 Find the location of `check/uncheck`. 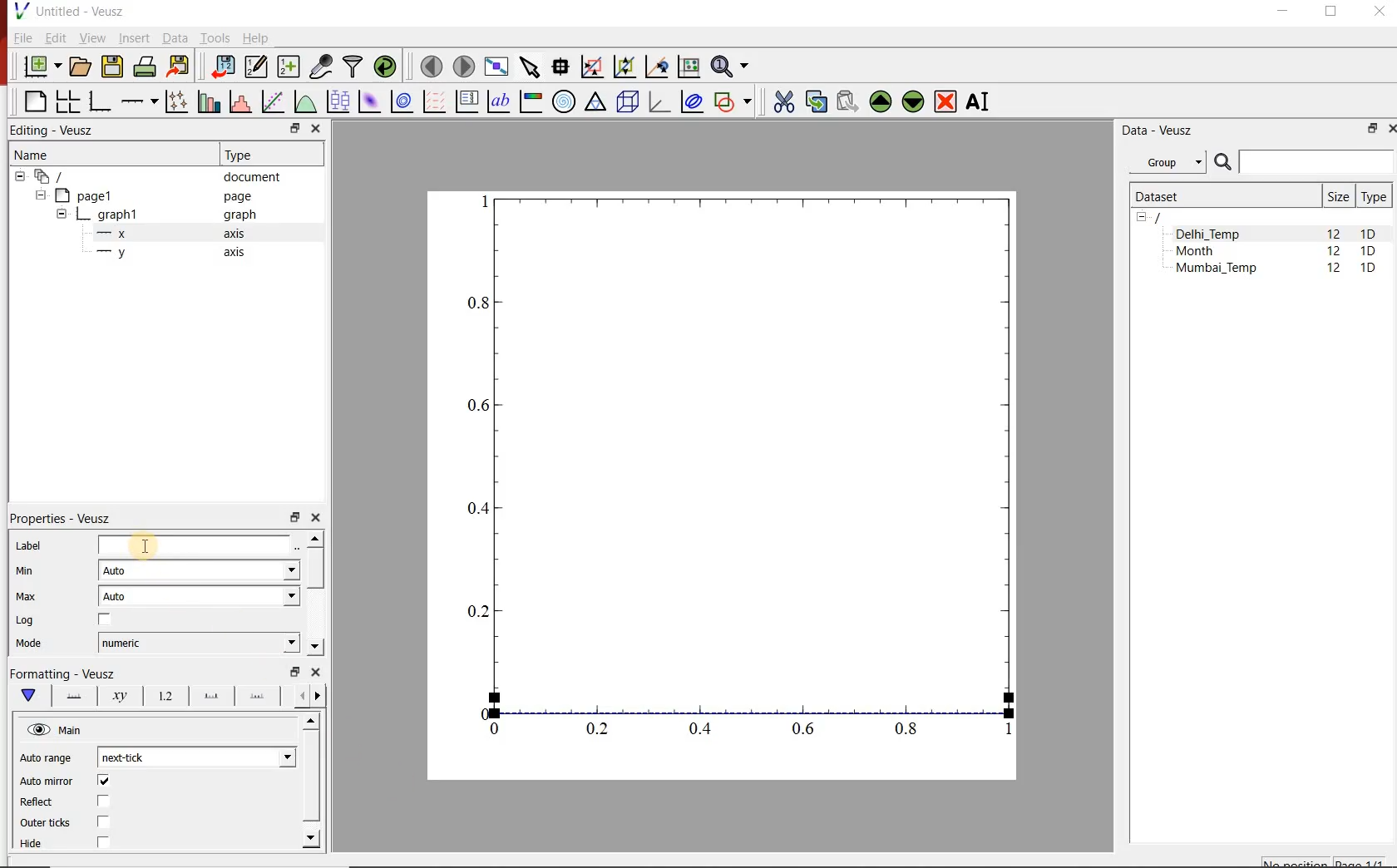

check/uncheck is located at coordinates (104, 802).